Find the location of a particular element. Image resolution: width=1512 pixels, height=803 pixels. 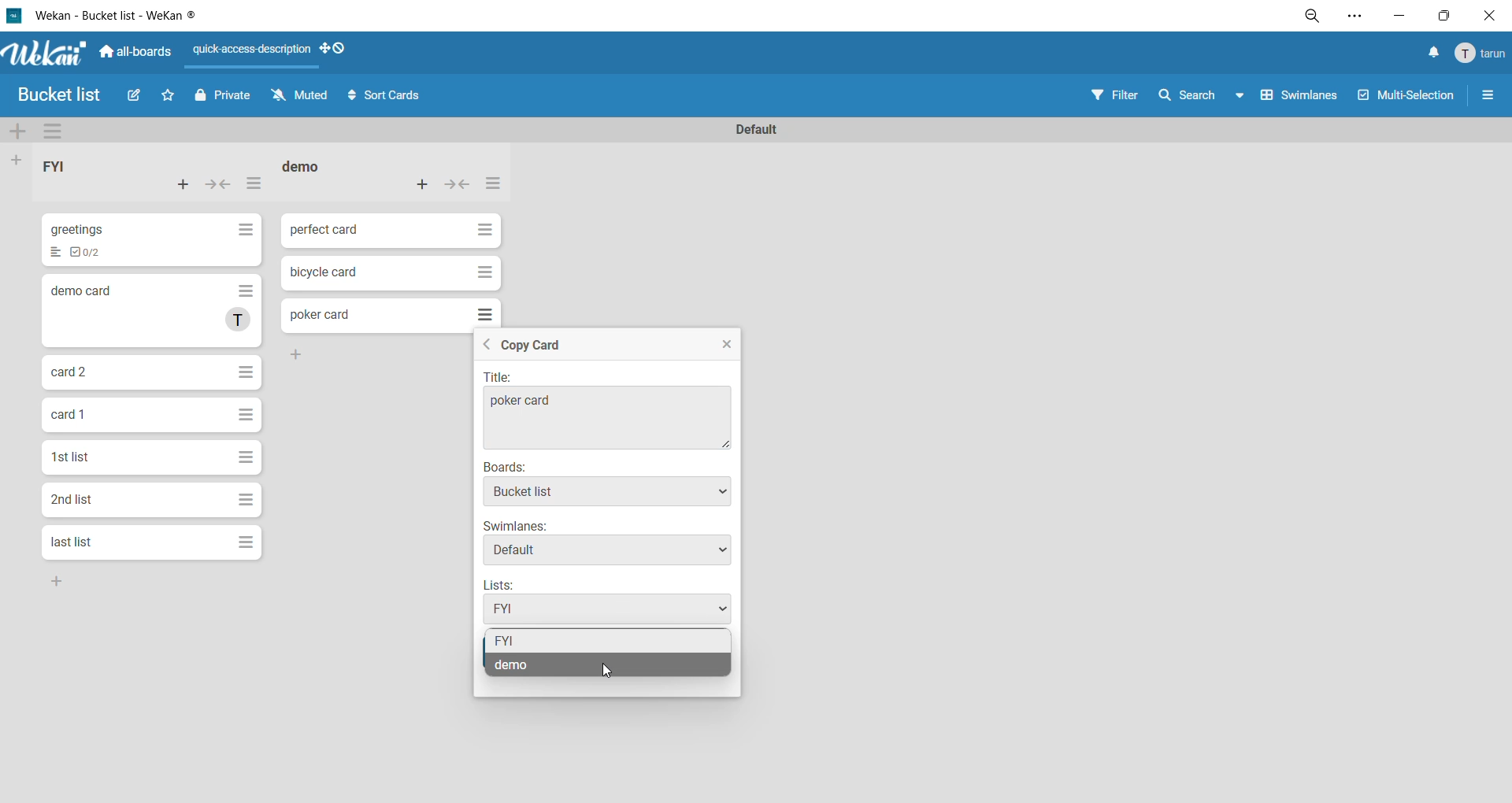

multiselection is located at coordinates (1408, 96).